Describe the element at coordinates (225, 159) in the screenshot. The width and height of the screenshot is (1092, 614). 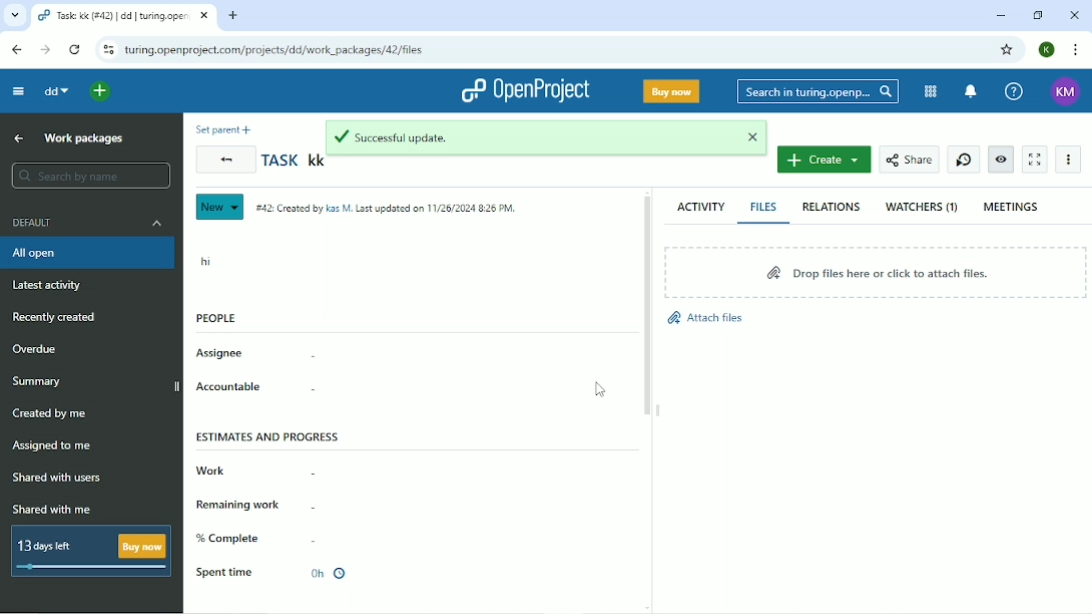
I see `Back` at that location.